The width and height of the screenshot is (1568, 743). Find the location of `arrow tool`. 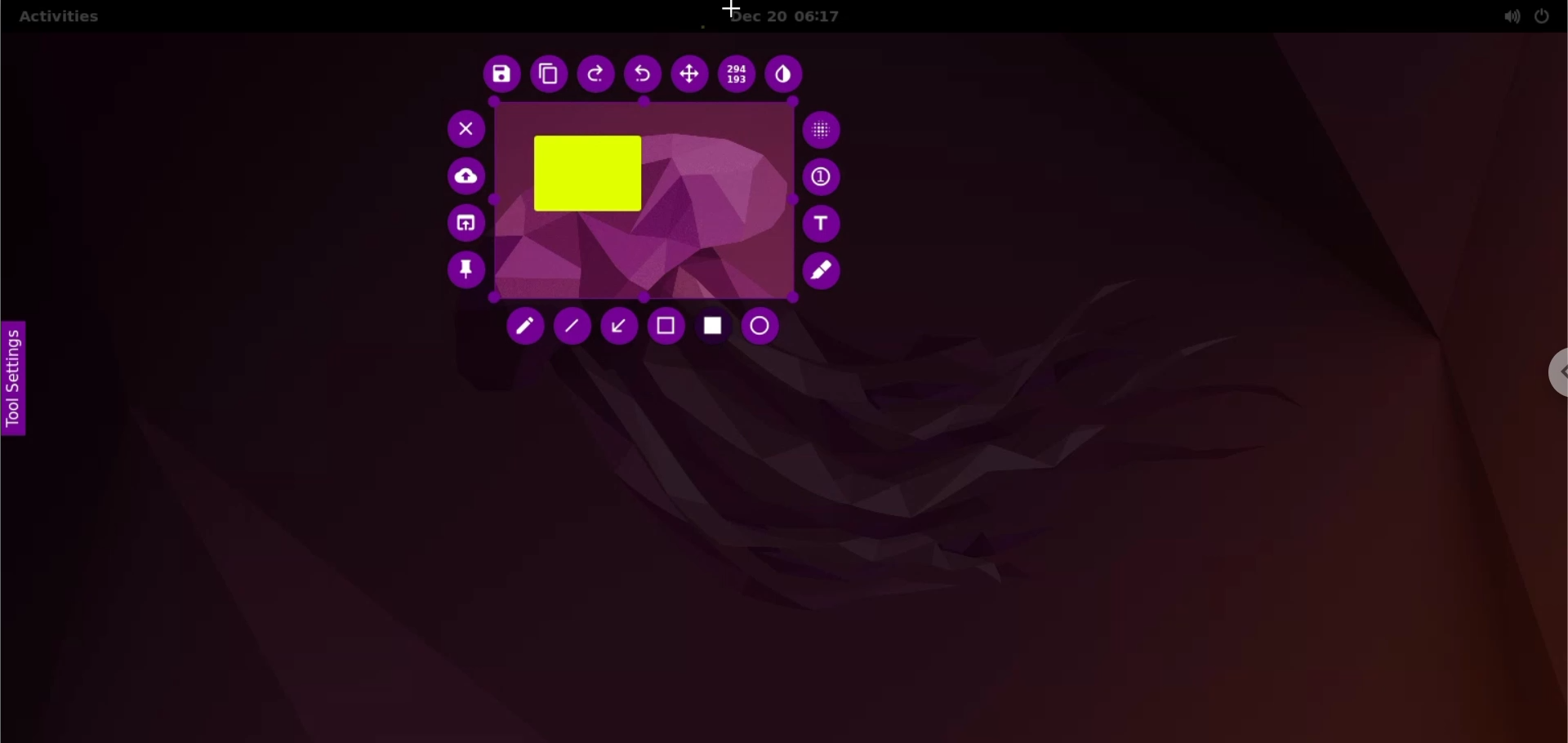

arrow tool is located at coordinates (618, 326).